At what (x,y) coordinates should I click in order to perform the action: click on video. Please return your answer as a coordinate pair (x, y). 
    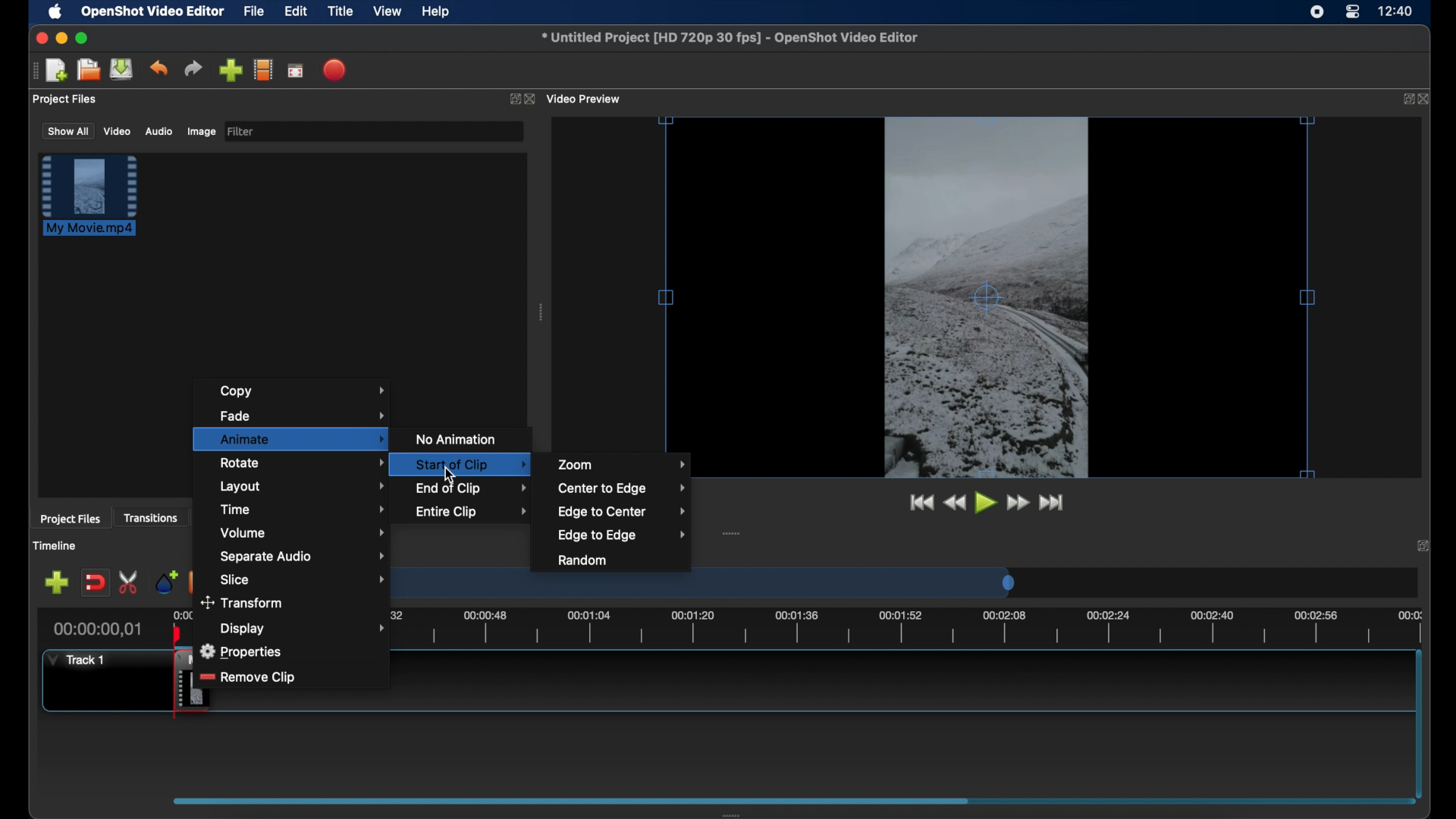
    Looking at the image, I should click on (117, 132).